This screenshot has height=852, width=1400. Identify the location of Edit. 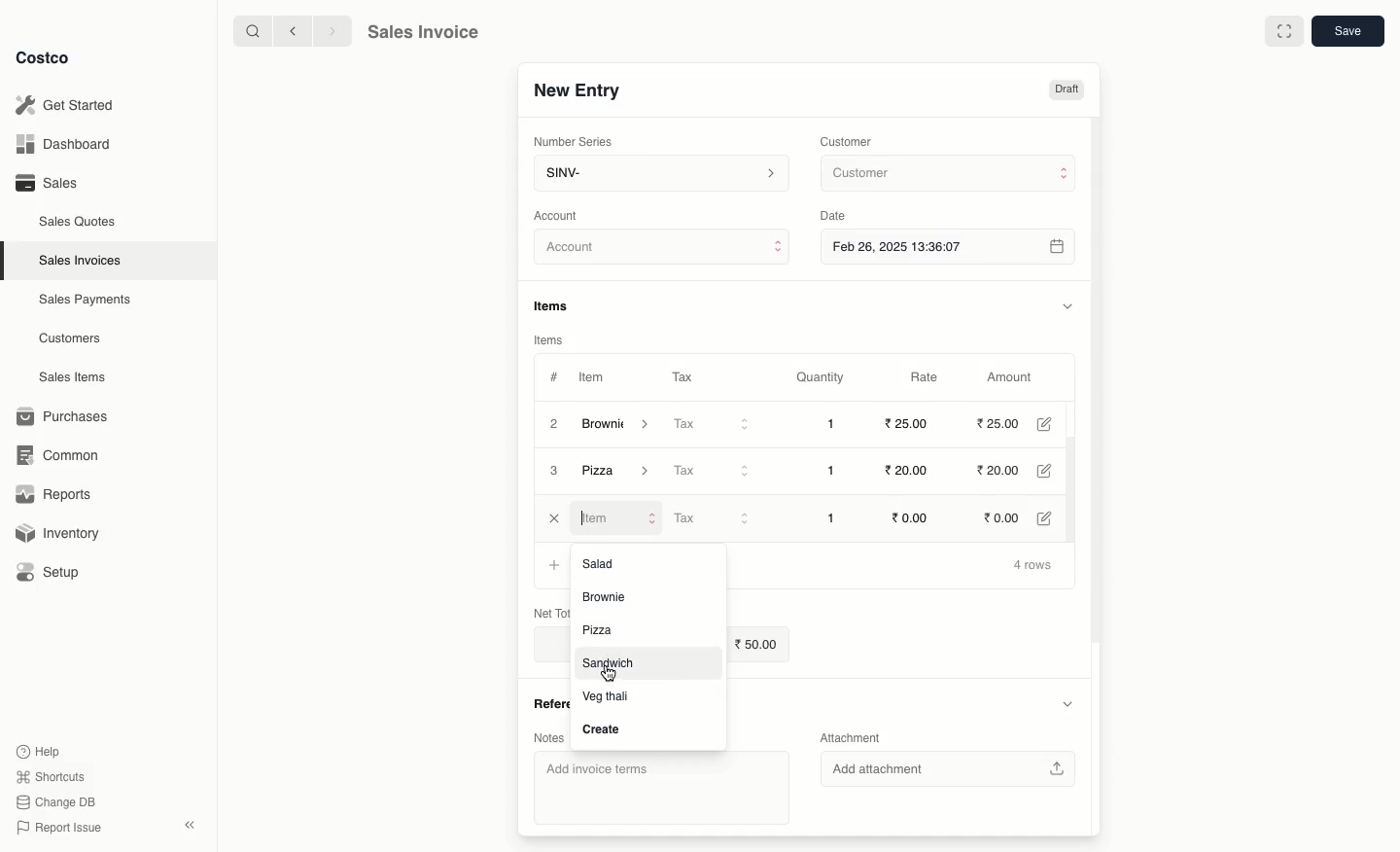
(1053, 517).